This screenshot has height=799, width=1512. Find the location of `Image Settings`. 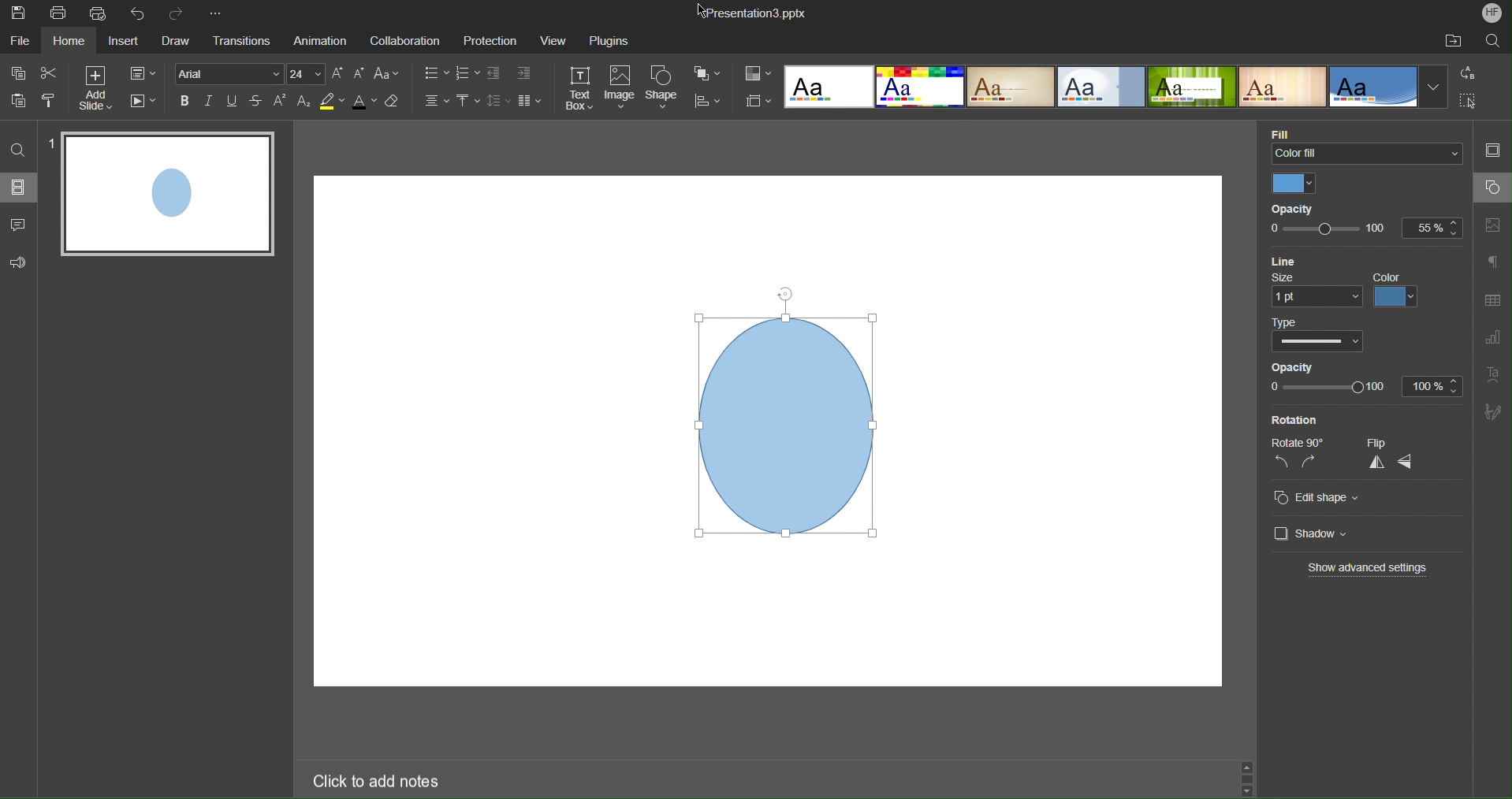

Image Settings is located at coordinates (1496, 224).